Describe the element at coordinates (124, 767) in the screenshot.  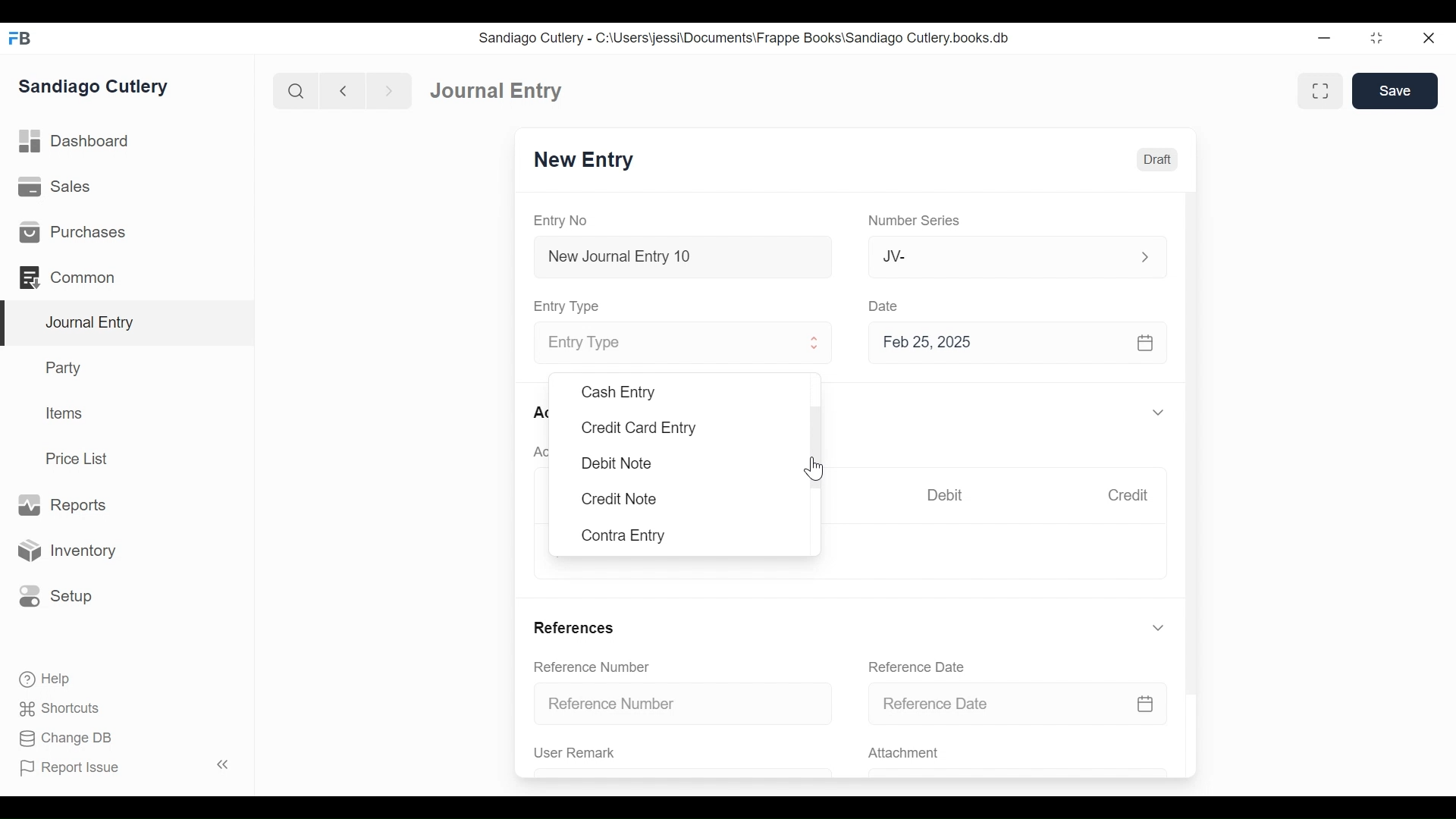
I see `Report Issue` at that location.